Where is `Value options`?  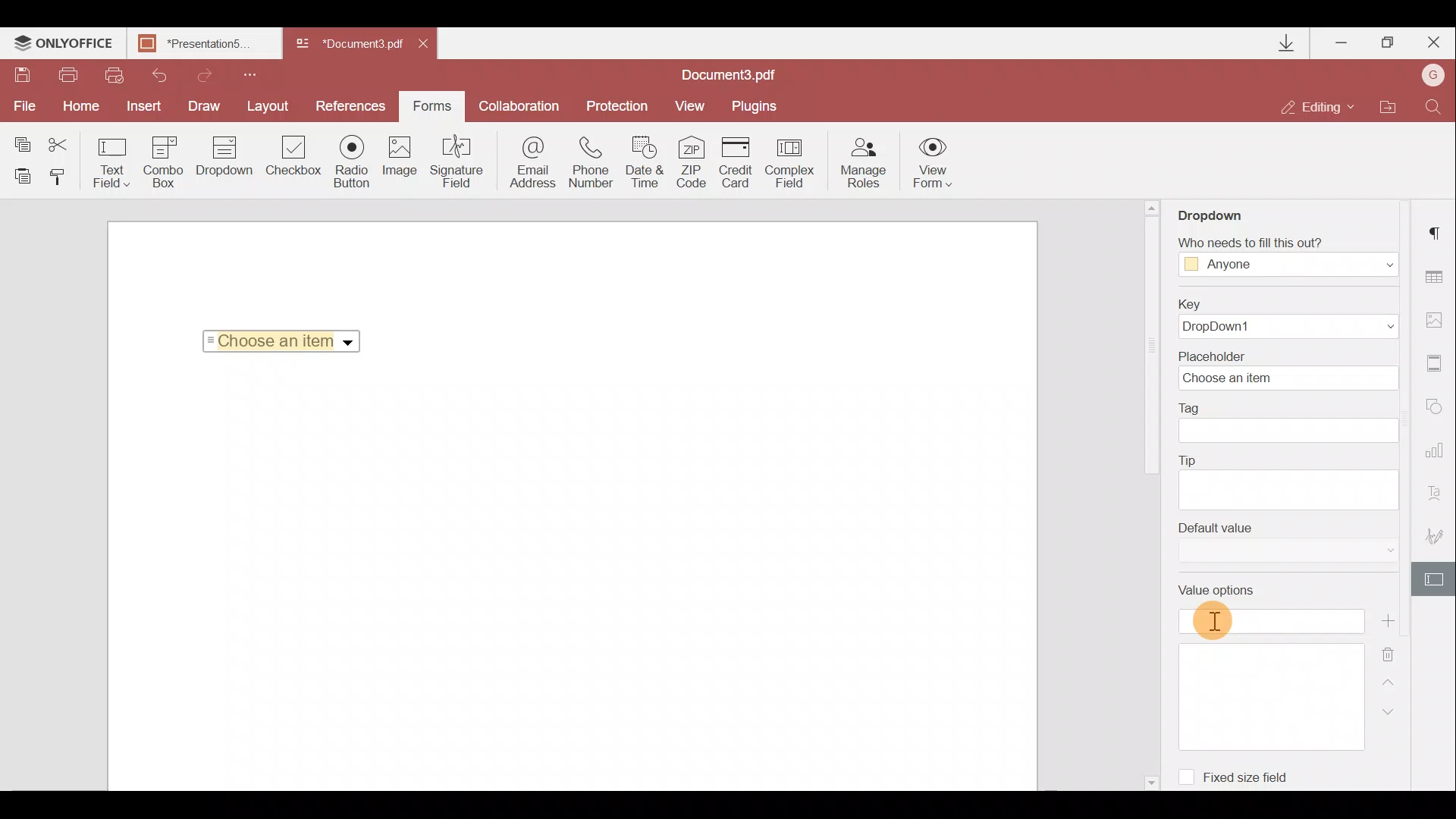
Value options is located at coordinates (1272, 662).